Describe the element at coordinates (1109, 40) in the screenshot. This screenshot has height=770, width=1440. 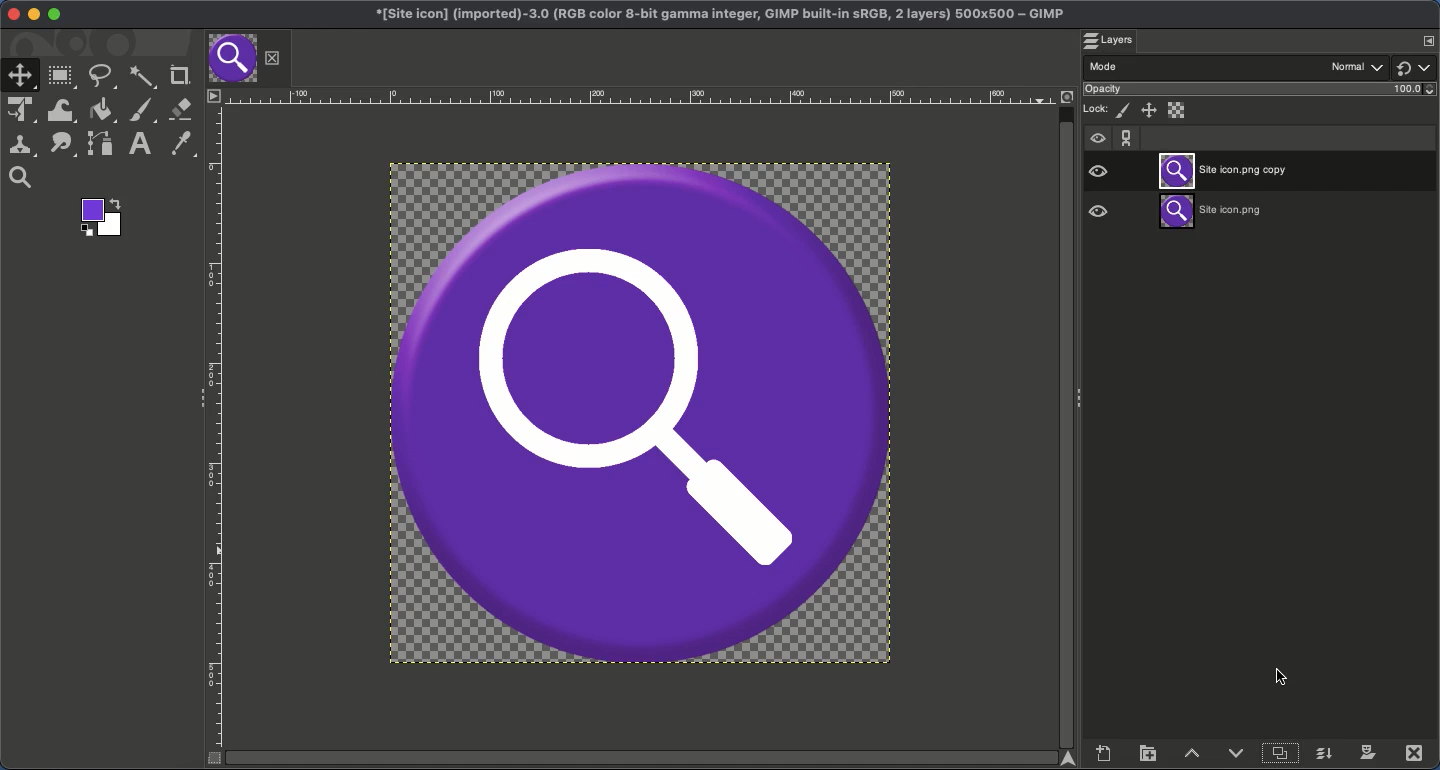
I see `Layers` at that location.